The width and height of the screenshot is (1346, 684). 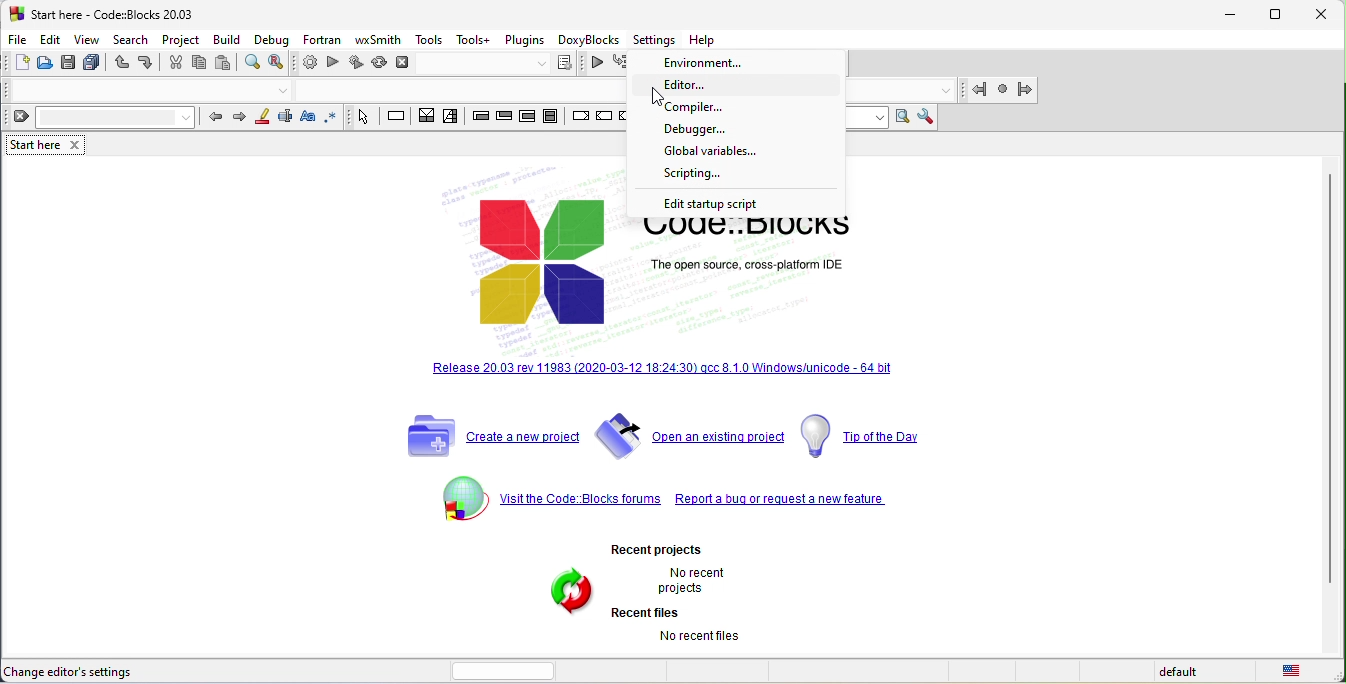 What do you see at coordinates (68, 65) in the screenshot?
I see `save` at bounding box center [68, 65].